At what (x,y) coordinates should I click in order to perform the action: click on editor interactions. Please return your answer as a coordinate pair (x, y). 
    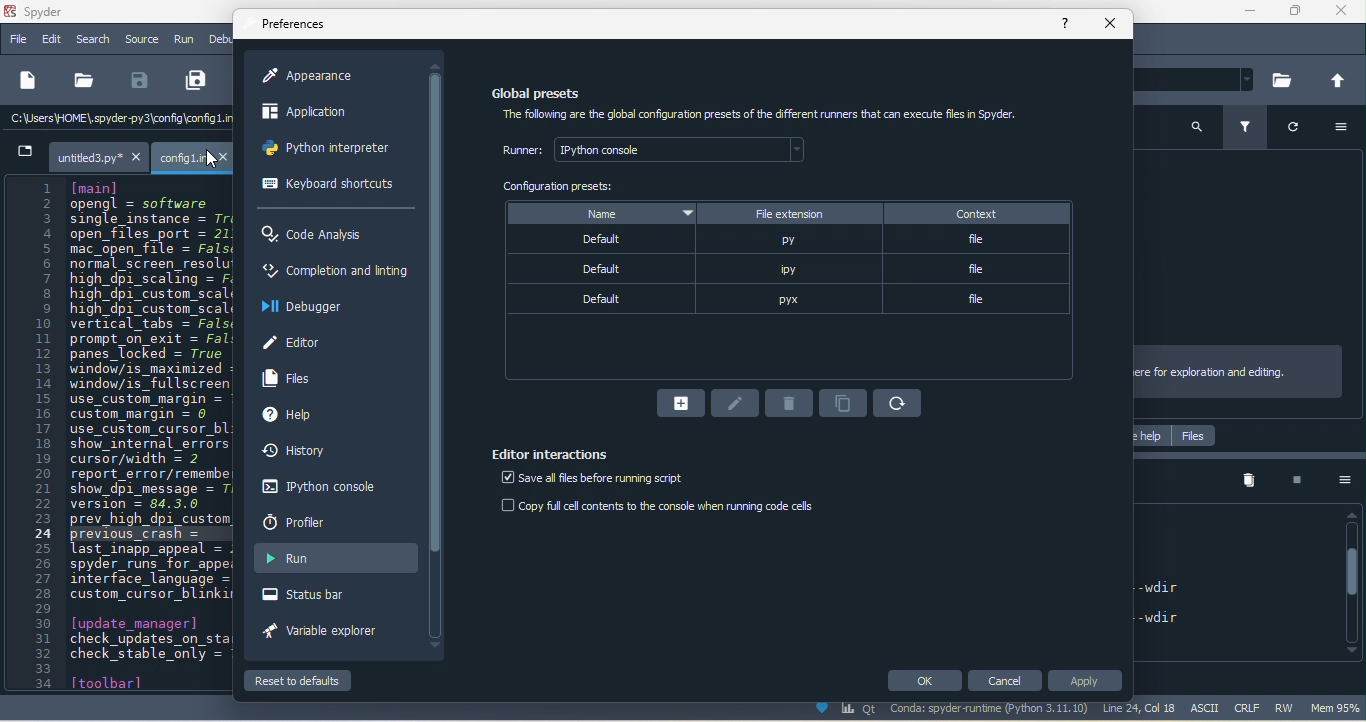
    Looking at the image, I should click on (550, 452).